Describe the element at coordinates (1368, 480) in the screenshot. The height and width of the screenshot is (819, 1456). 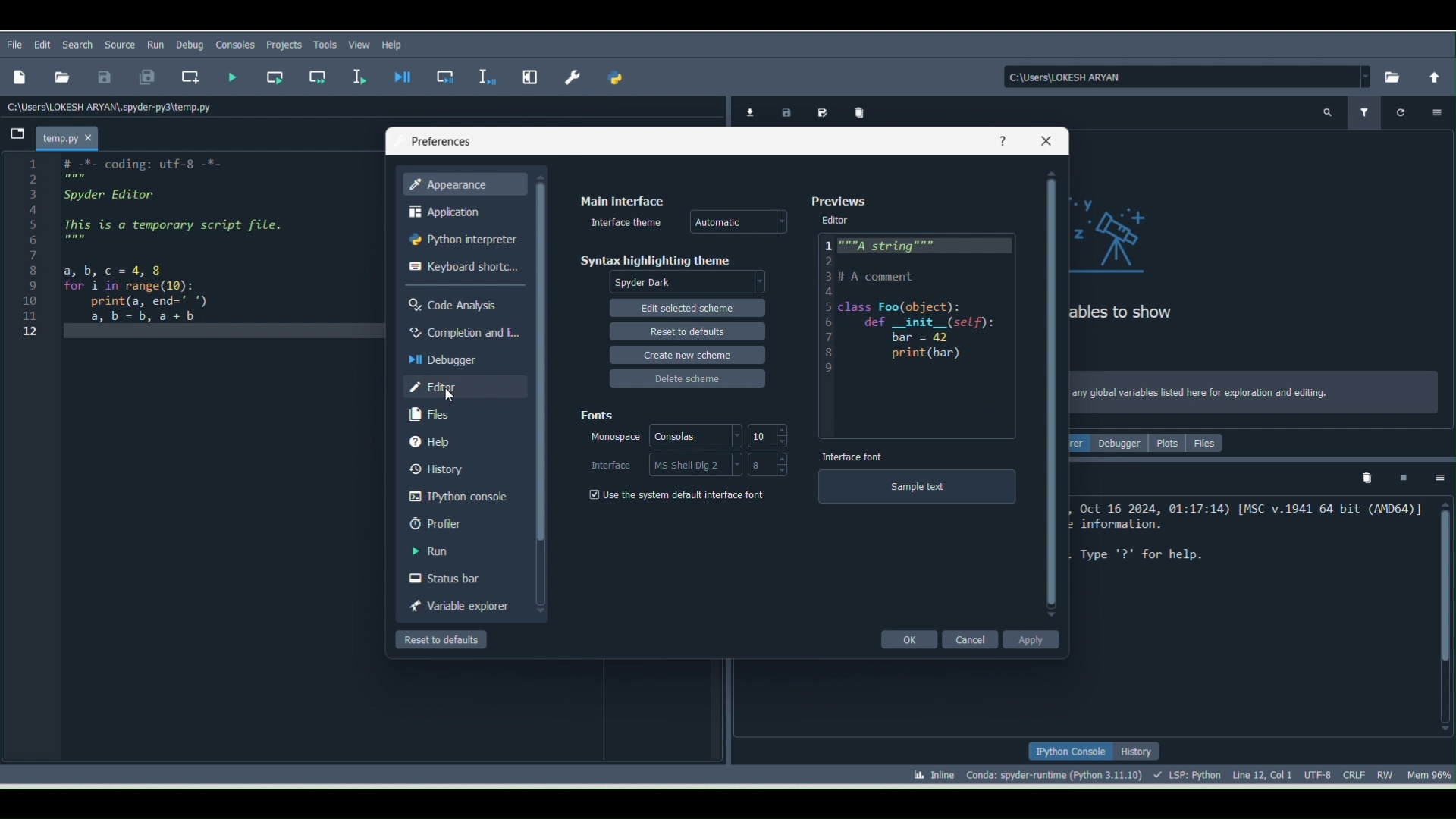
I see `Remove all variables from namespace` at that location.